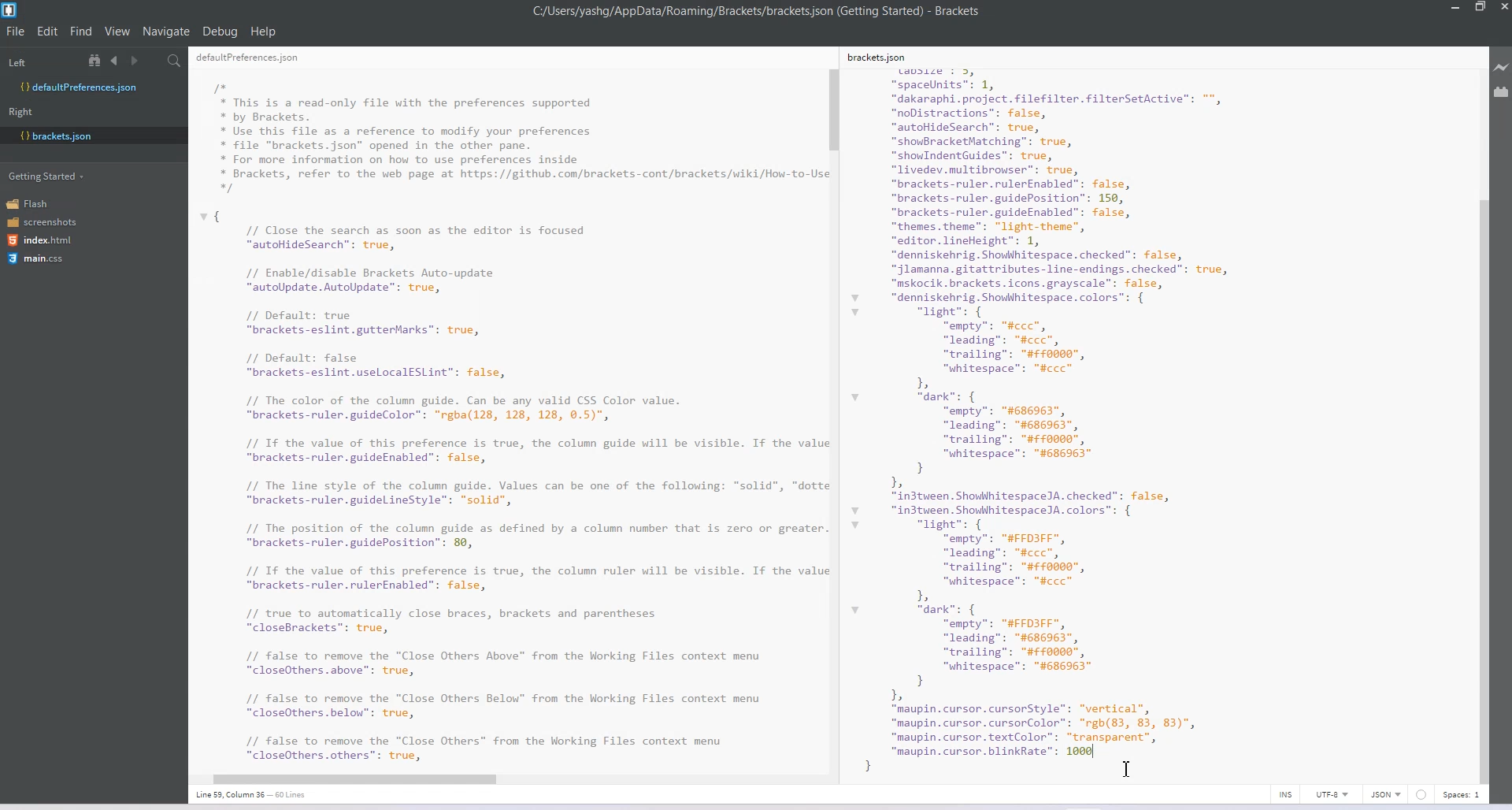  What do you see at coordinates (45, 240) in the screenshot?
I see `index.html` at bounding box center [45, 240].